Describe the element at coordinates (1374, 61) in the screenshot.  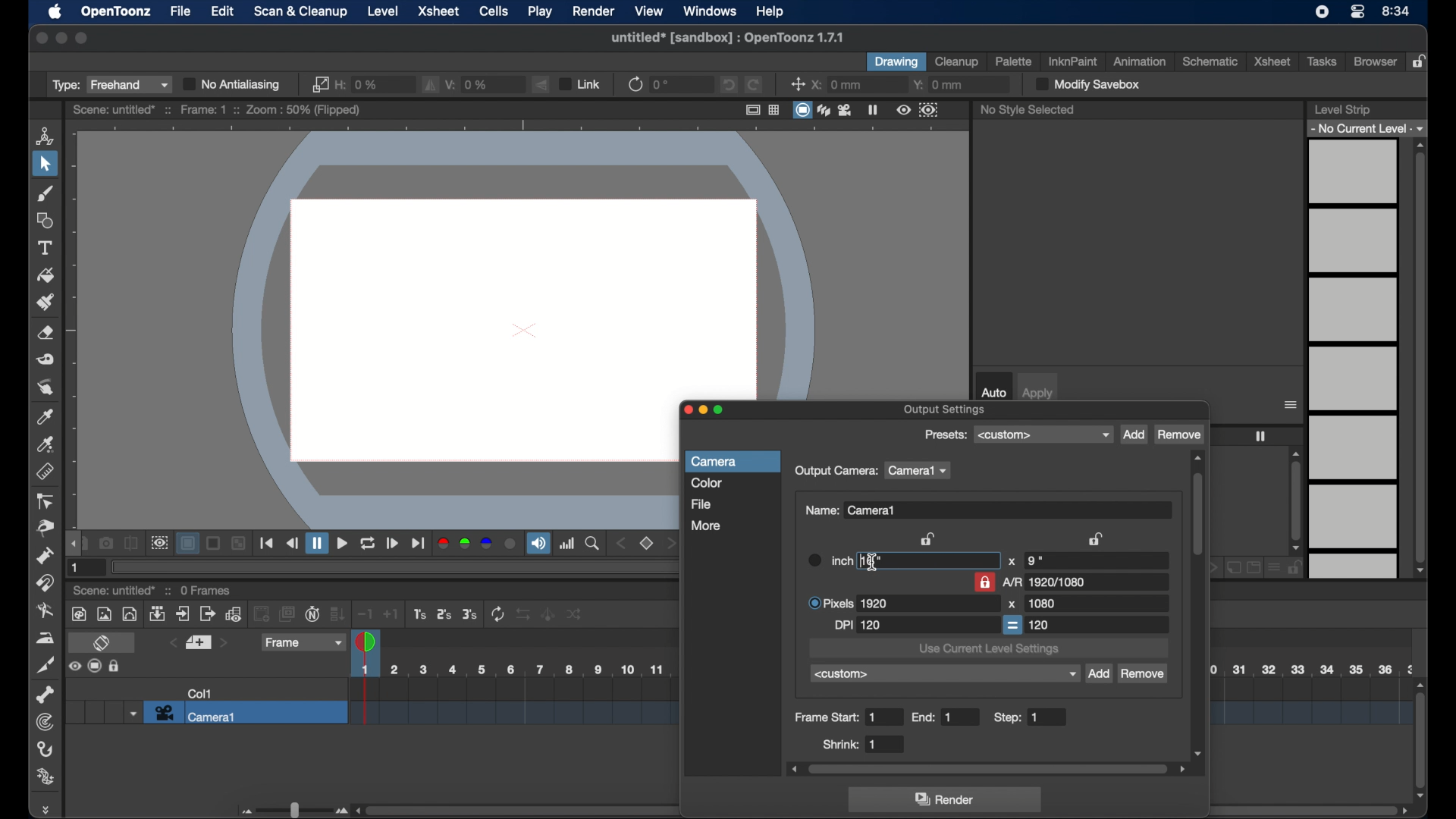
I see `browser` at that location.